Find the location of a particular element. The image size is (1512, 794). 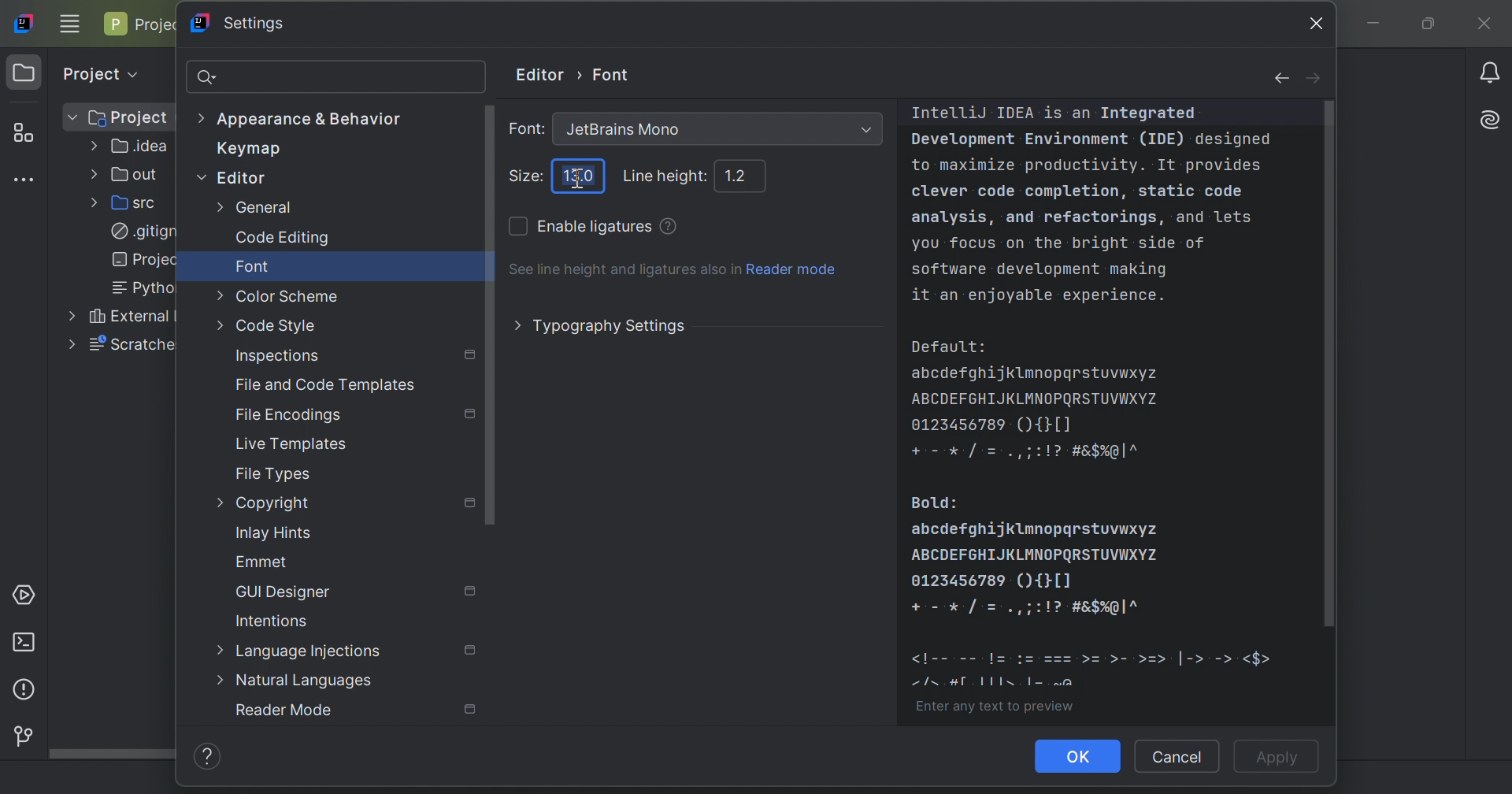

1.2 is located at coordinates (737, 174).